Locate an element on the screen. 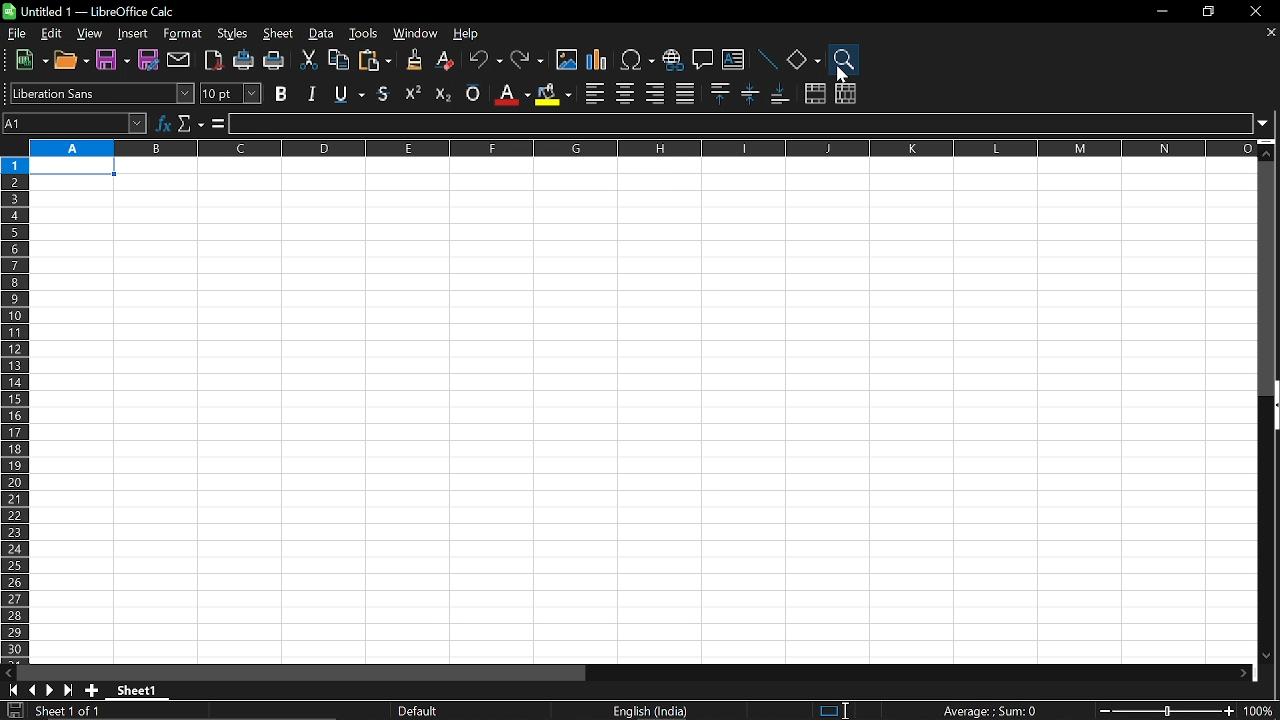 The height and width of the screenshot is (720, 1280). subscript is located at coordinates (441, 92).